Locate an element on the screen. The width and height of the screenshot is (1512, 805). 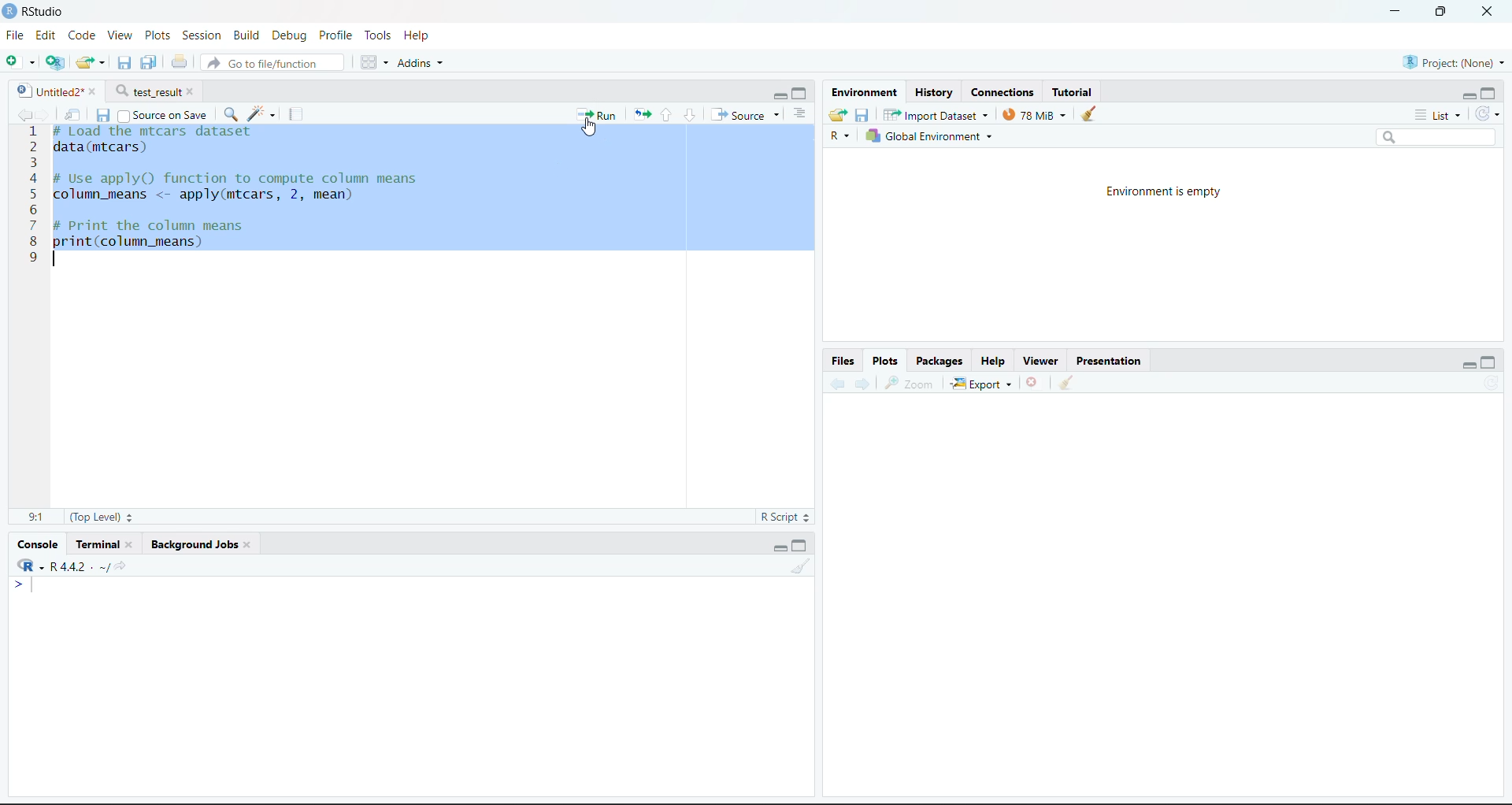
1:1 is located at coordinates (37, 517).